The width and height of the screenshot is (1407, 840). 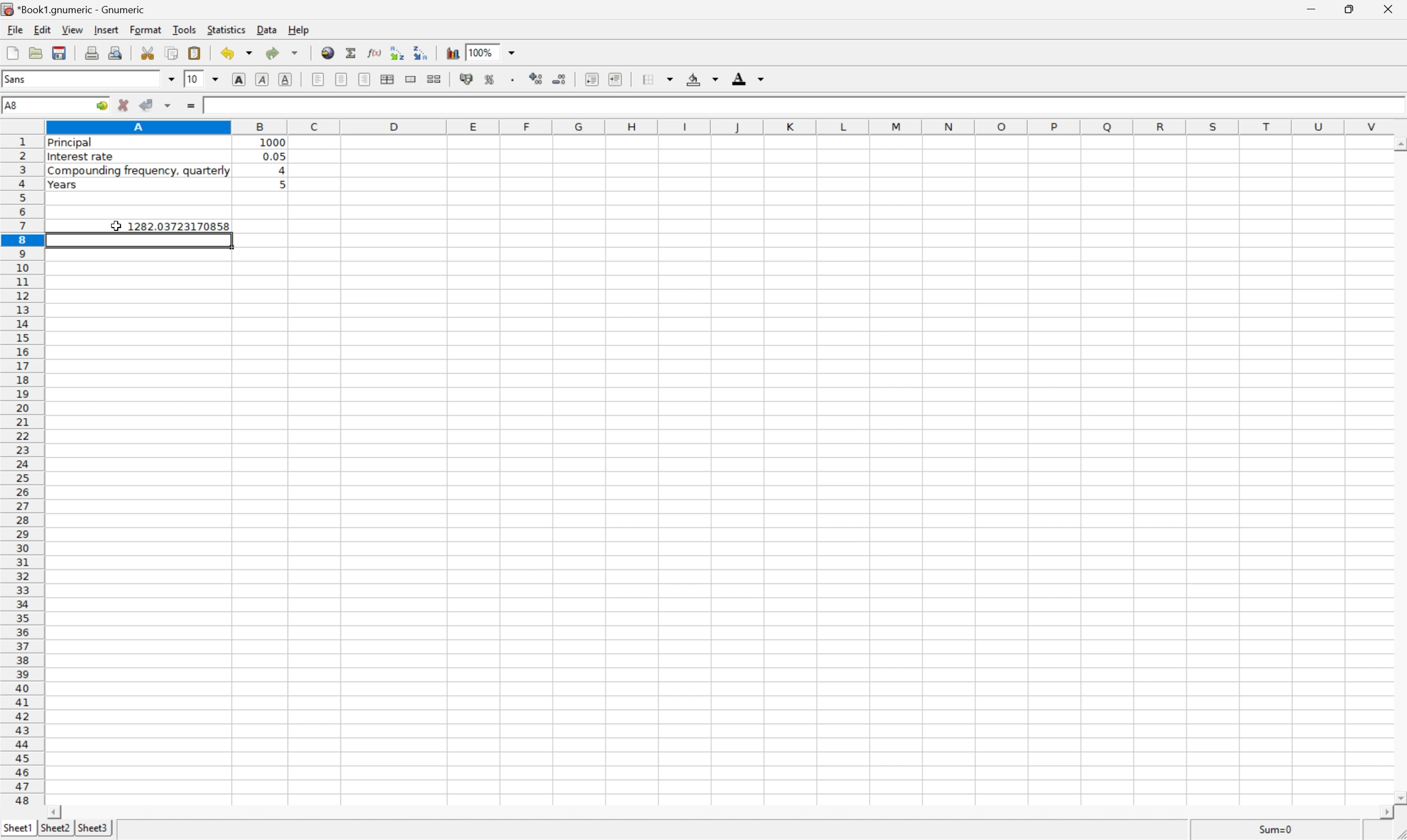 What do you see at coordinates (411, 79) in the screenshot?
I see `merge range of cells` at bounding box center [411, 79].